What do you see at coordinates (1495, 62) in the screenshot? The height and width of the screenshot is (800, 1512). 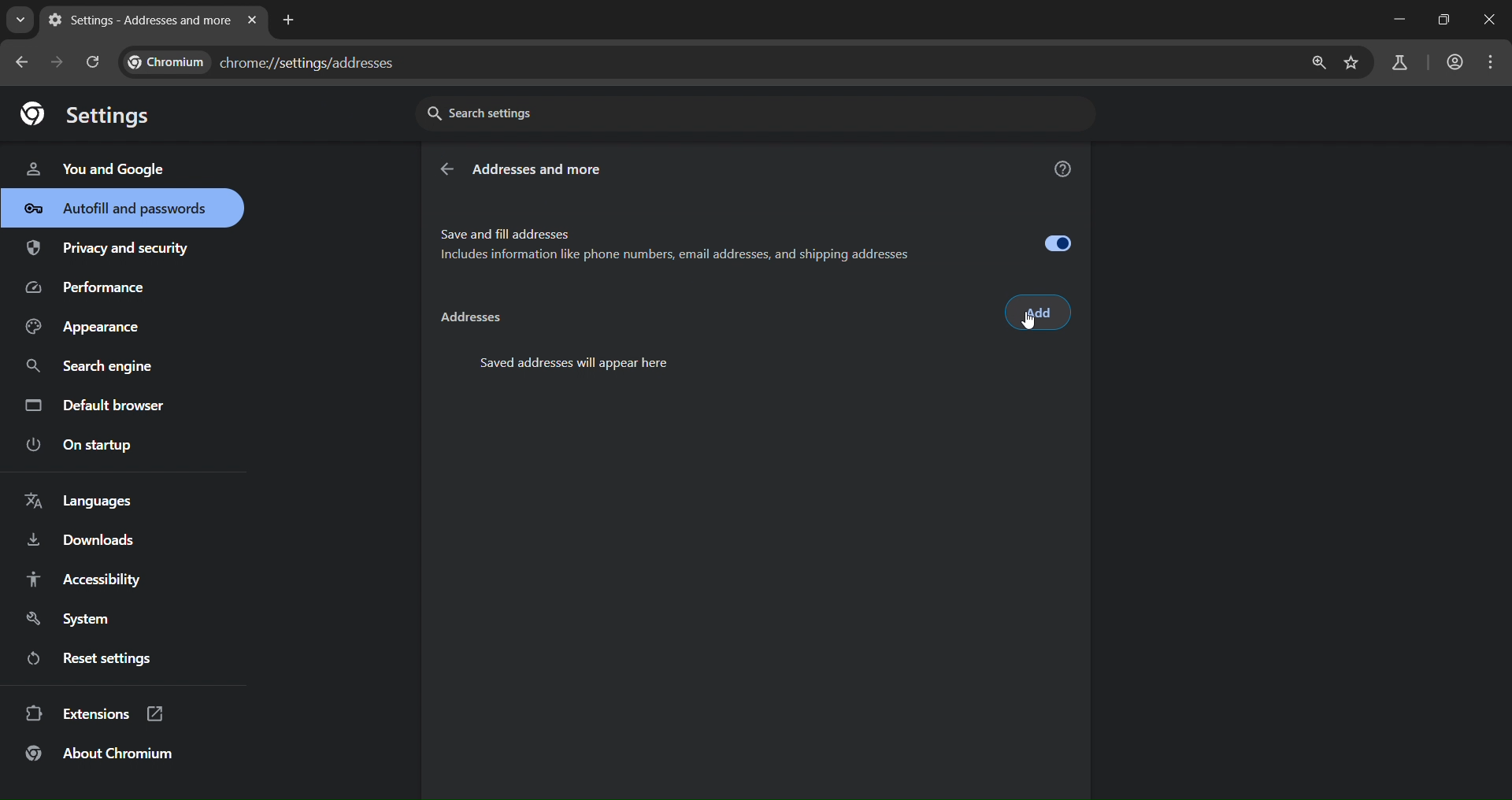 I see `menu` at bounding box center [1495, 62].